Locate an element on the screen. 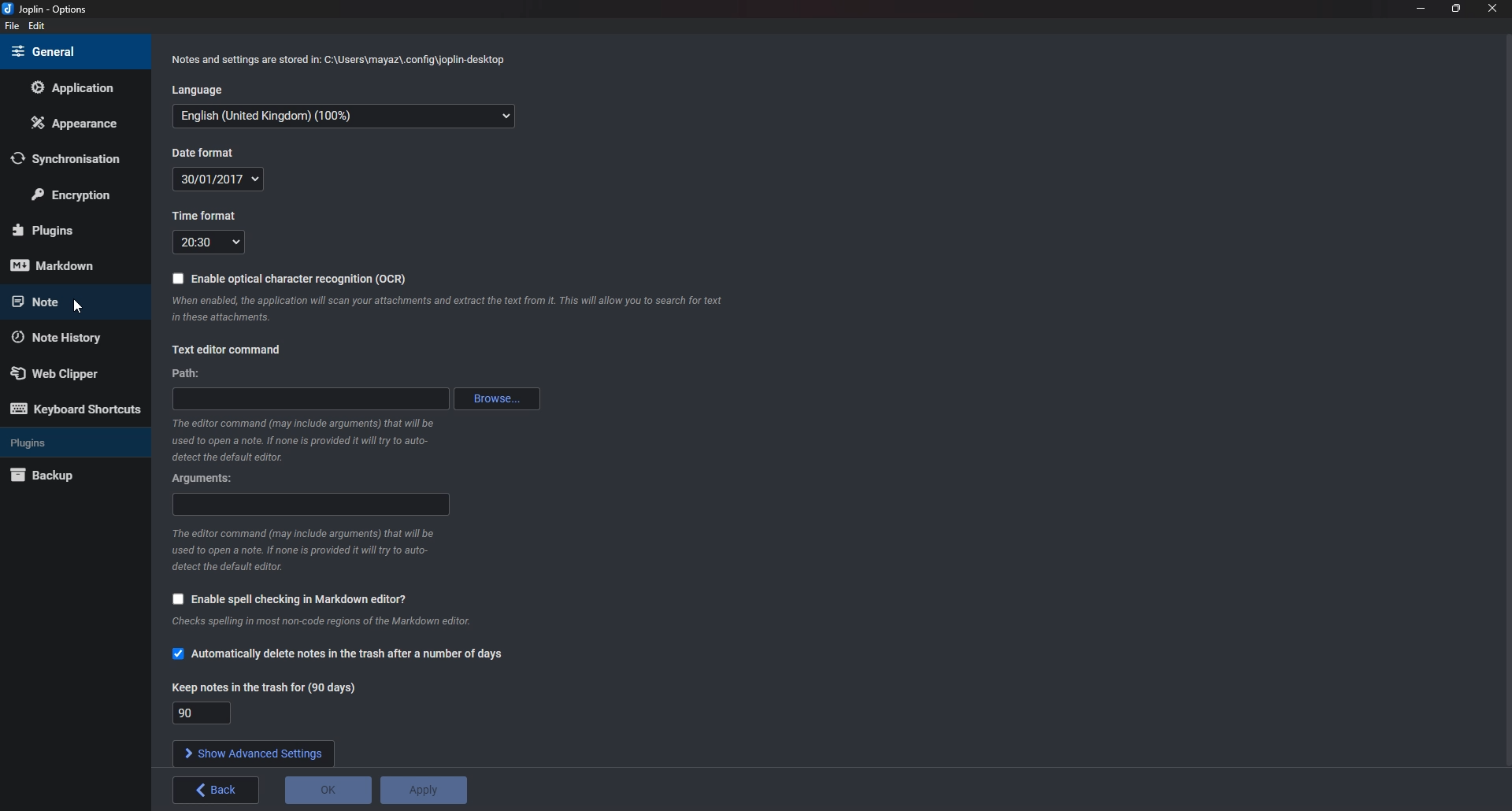  Resize is located at coordinates (1458, 9).